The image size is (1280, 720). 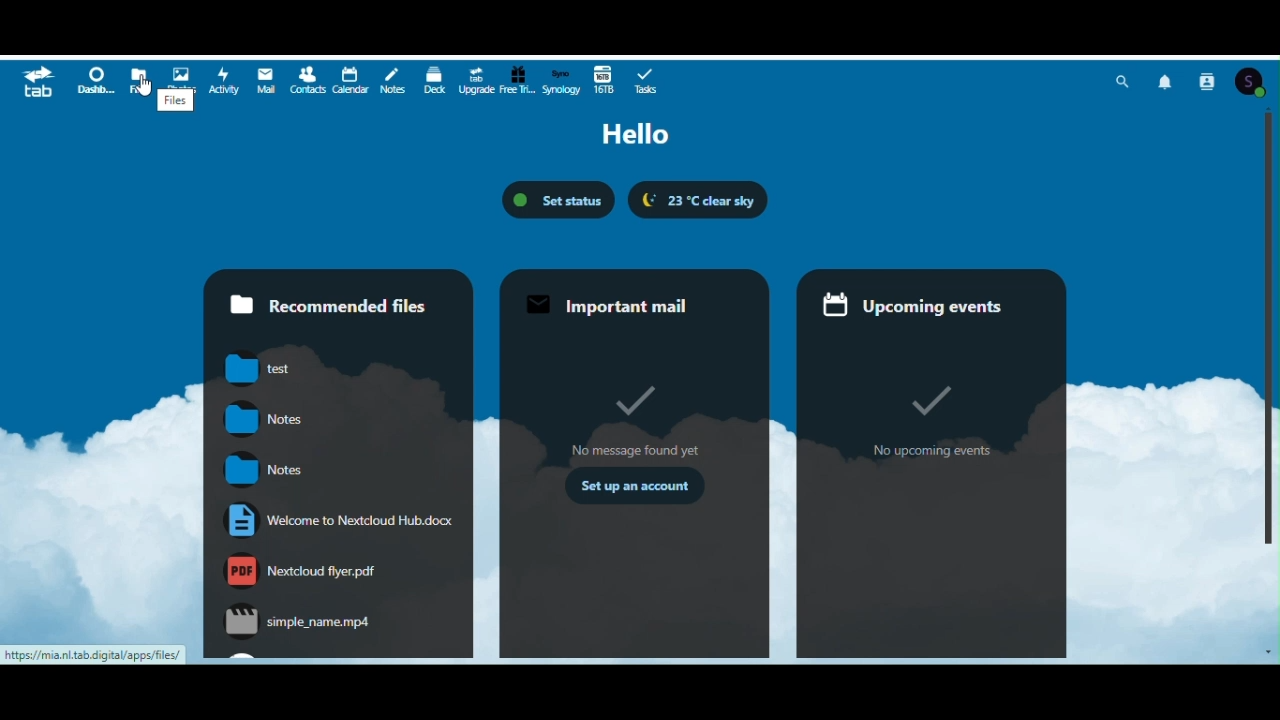 I want to click on Account icon, so click(x=1255, y=80).